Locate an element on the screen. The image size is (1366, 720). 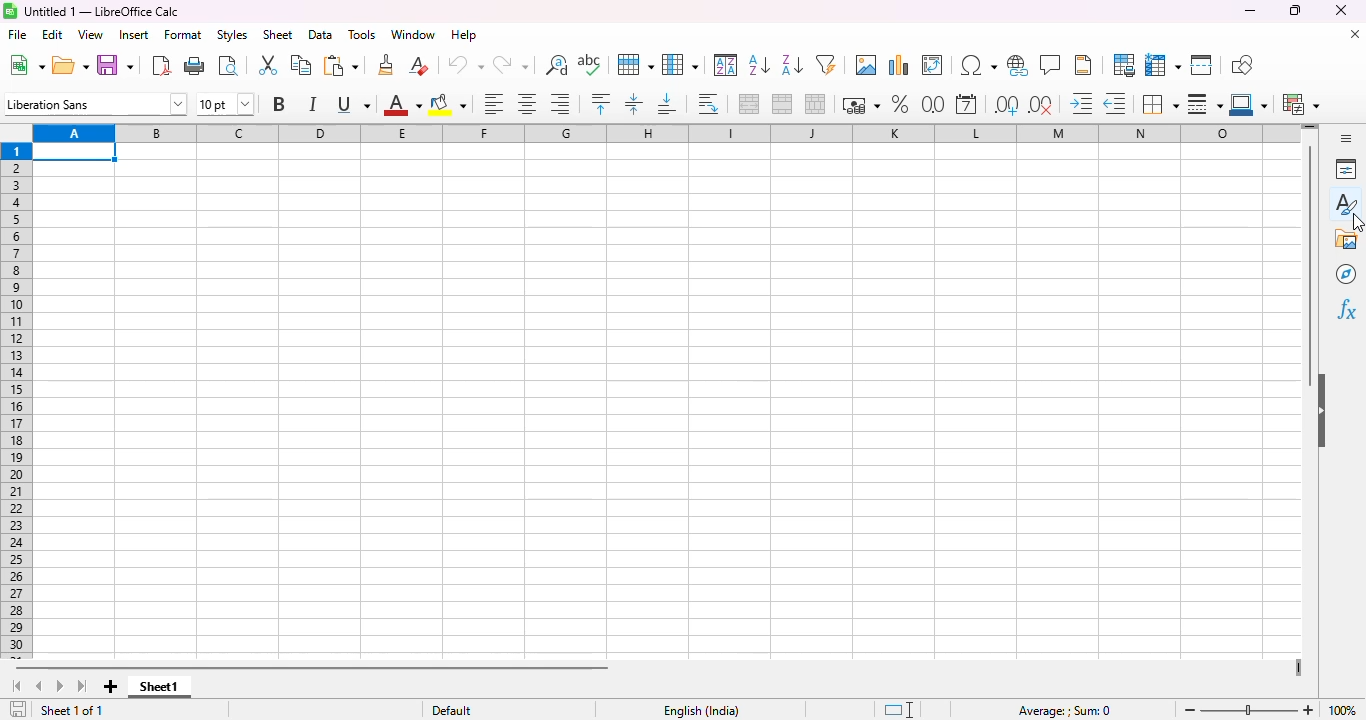
undo is located at coordinates (465, 65).